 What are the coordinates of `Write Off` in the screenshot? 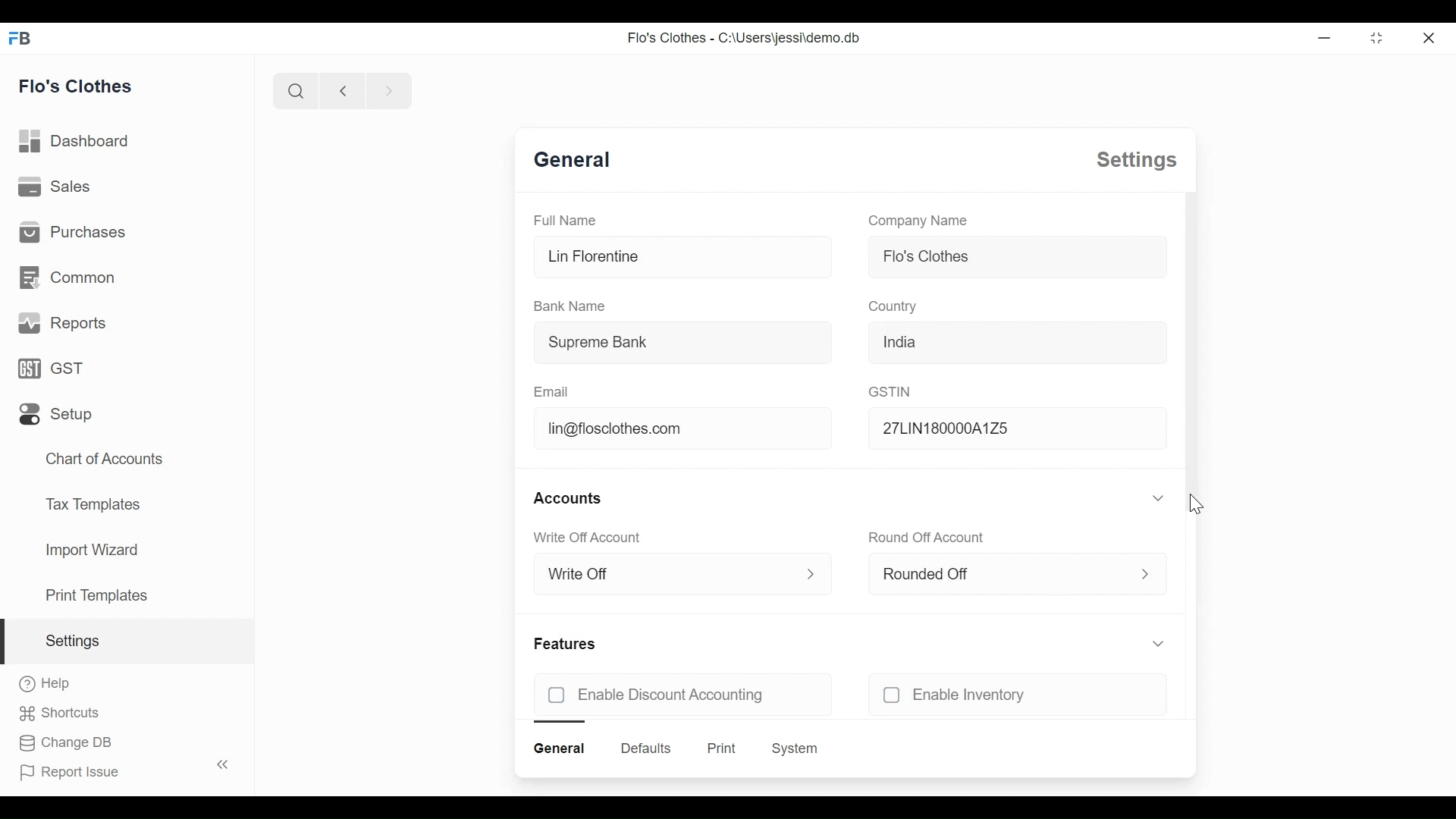 It's located at (665, 575).